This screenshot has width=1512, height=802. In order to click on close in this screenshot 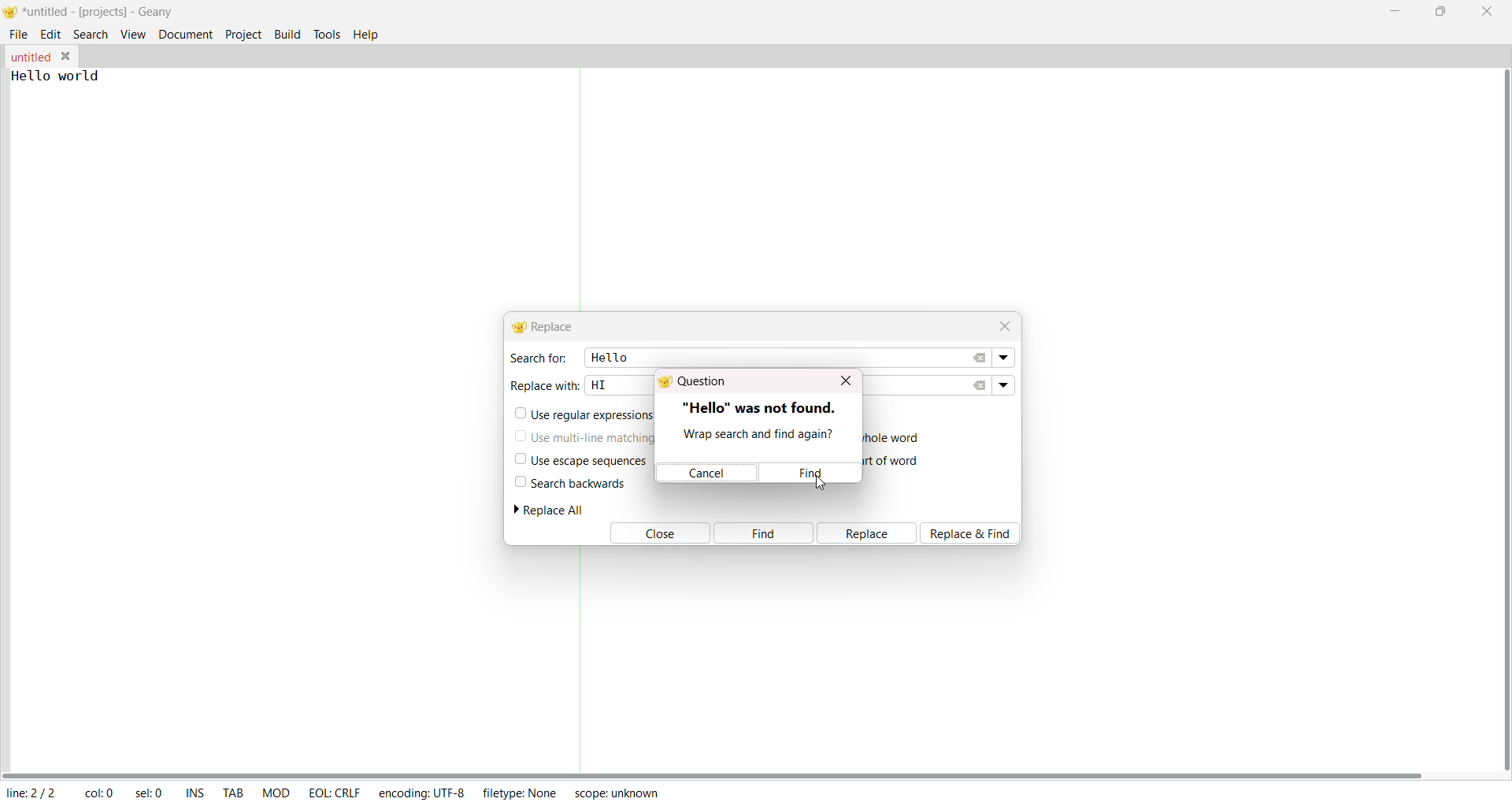, I will do `click(1487, 11)`.